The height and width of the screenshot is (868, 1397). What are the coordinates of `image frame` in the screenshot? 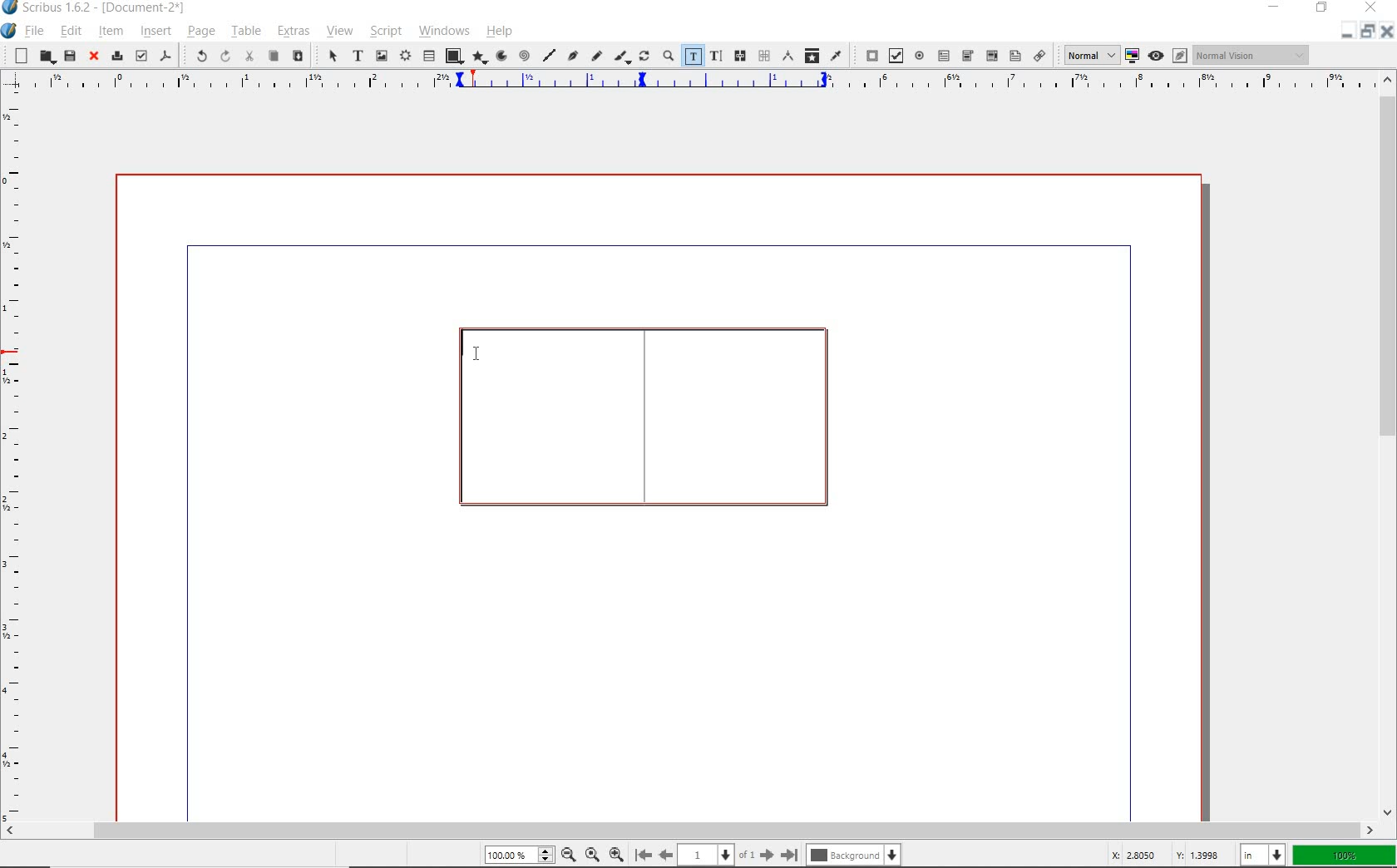 It's located at (381, 56).